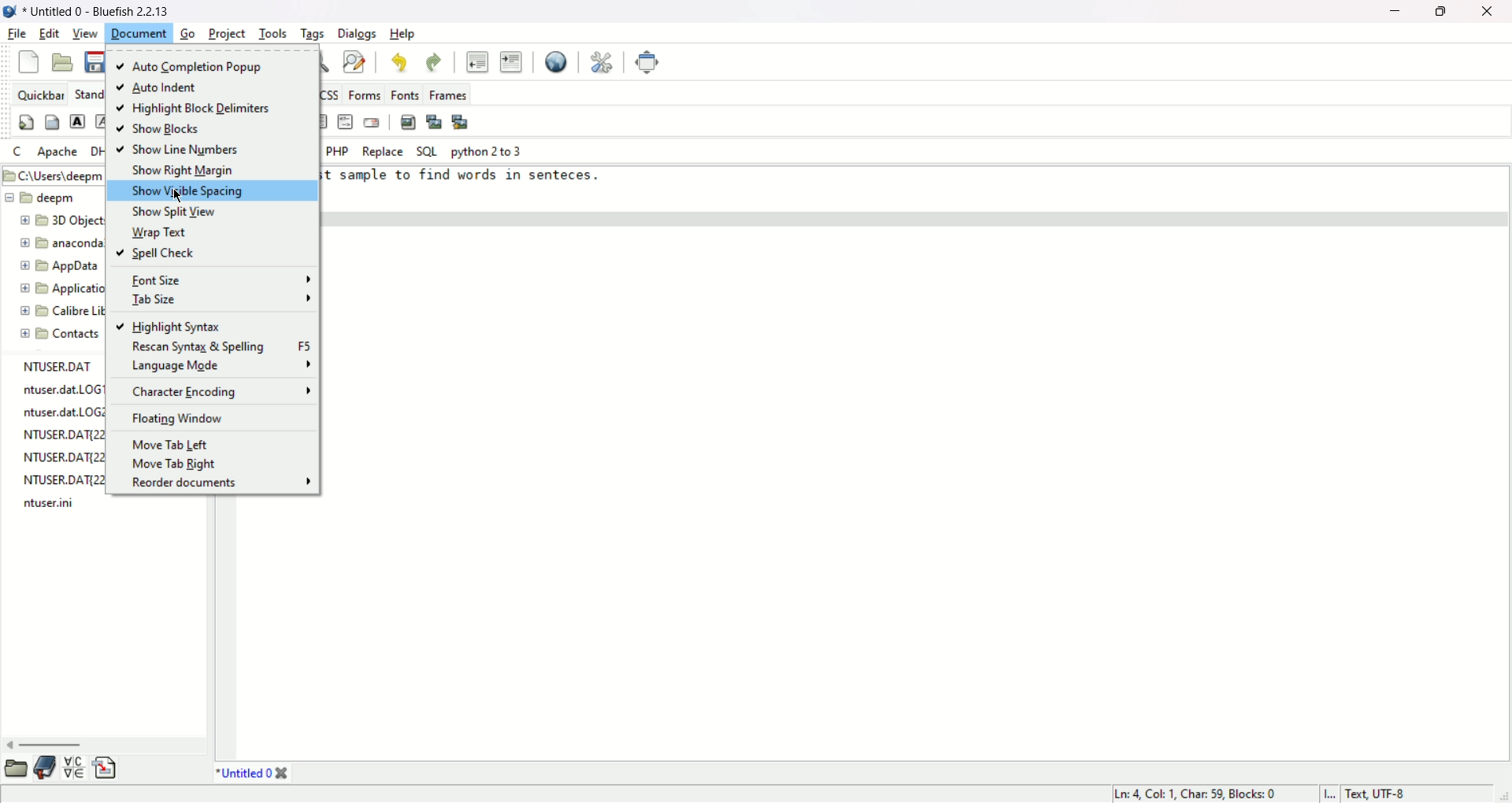 Image resolution: width=1512 pixels, height=803 pixels. I want to click on NTUSER.DAT{221283a0-2361-11ee-, so click(62, 435).